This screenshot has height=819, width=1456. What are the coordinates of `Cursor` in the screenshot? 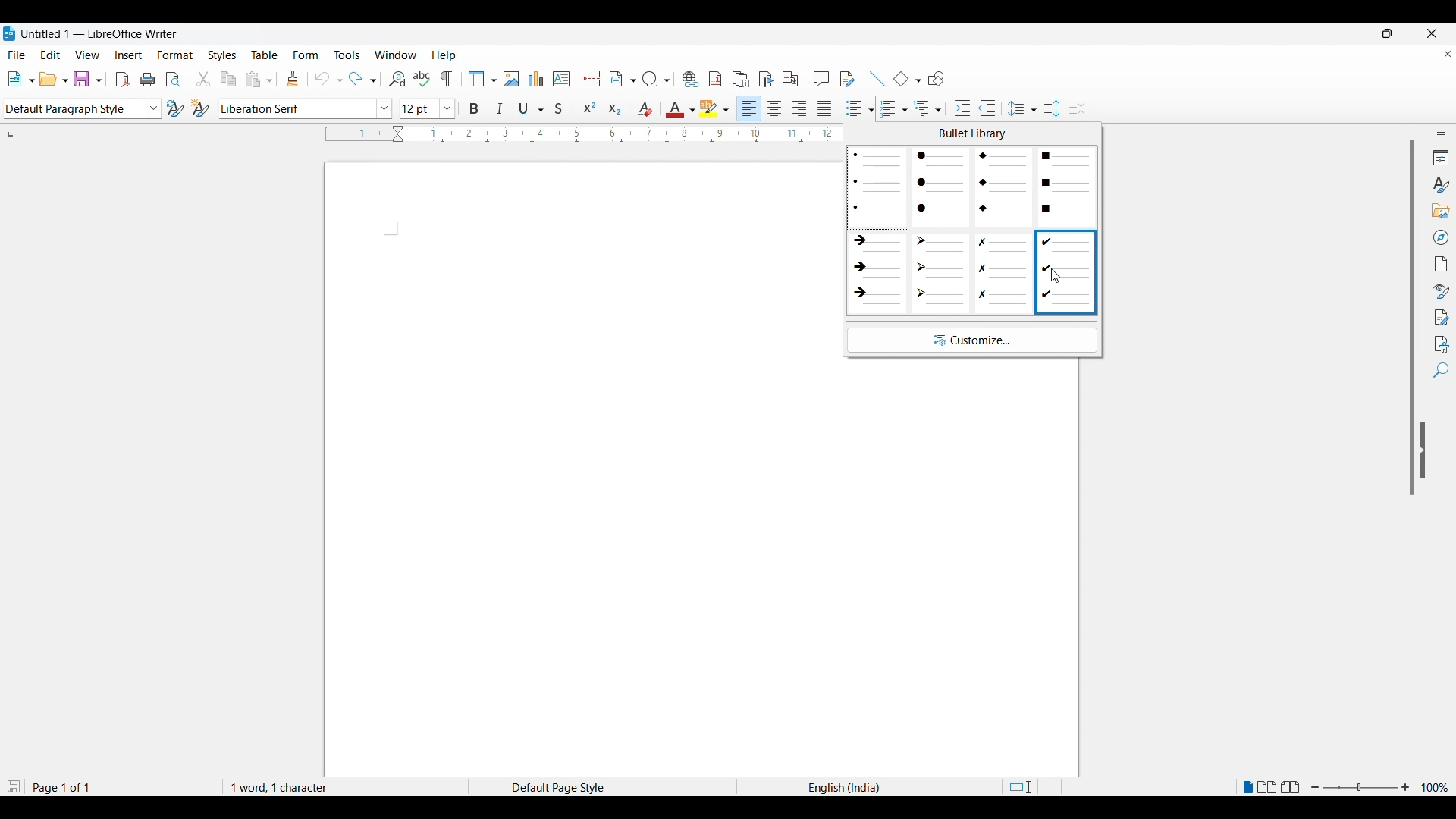 It's located at (1057, 276).